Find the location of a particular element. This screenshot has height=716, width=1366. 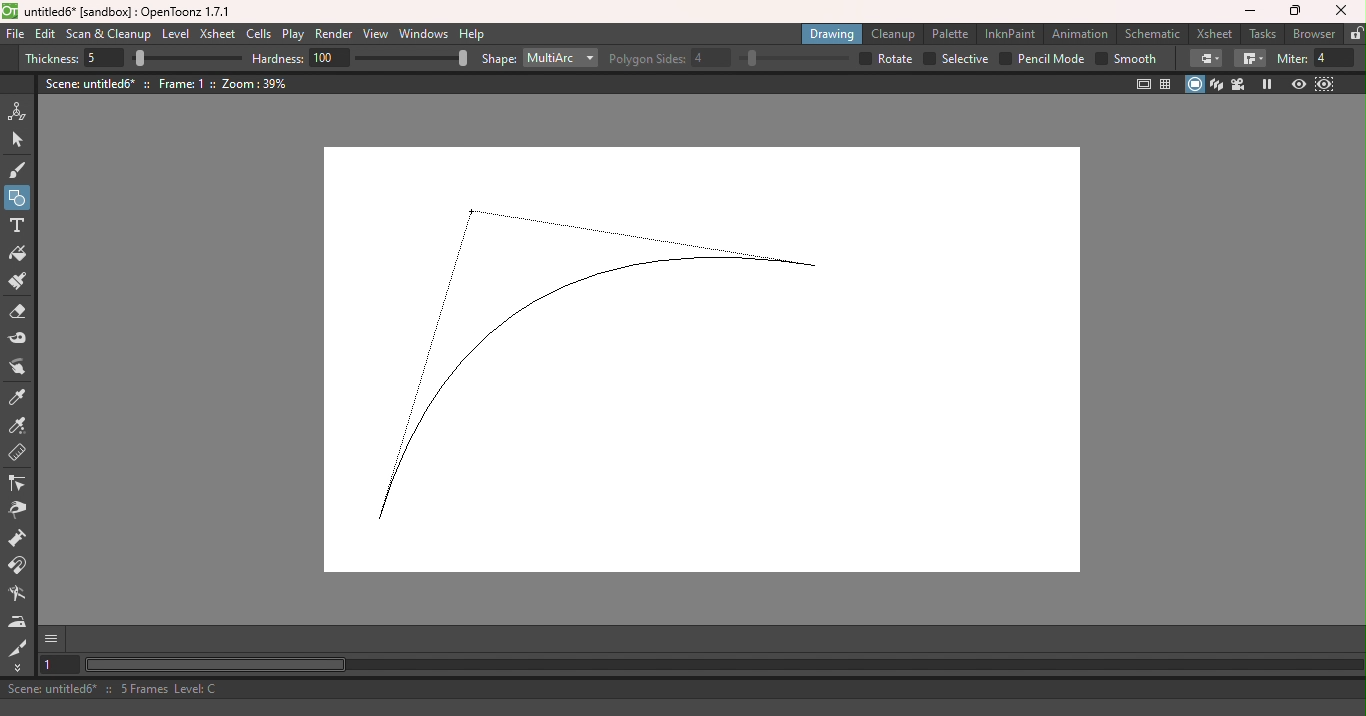

Camera stand view is located at coordinates (1195, 84).